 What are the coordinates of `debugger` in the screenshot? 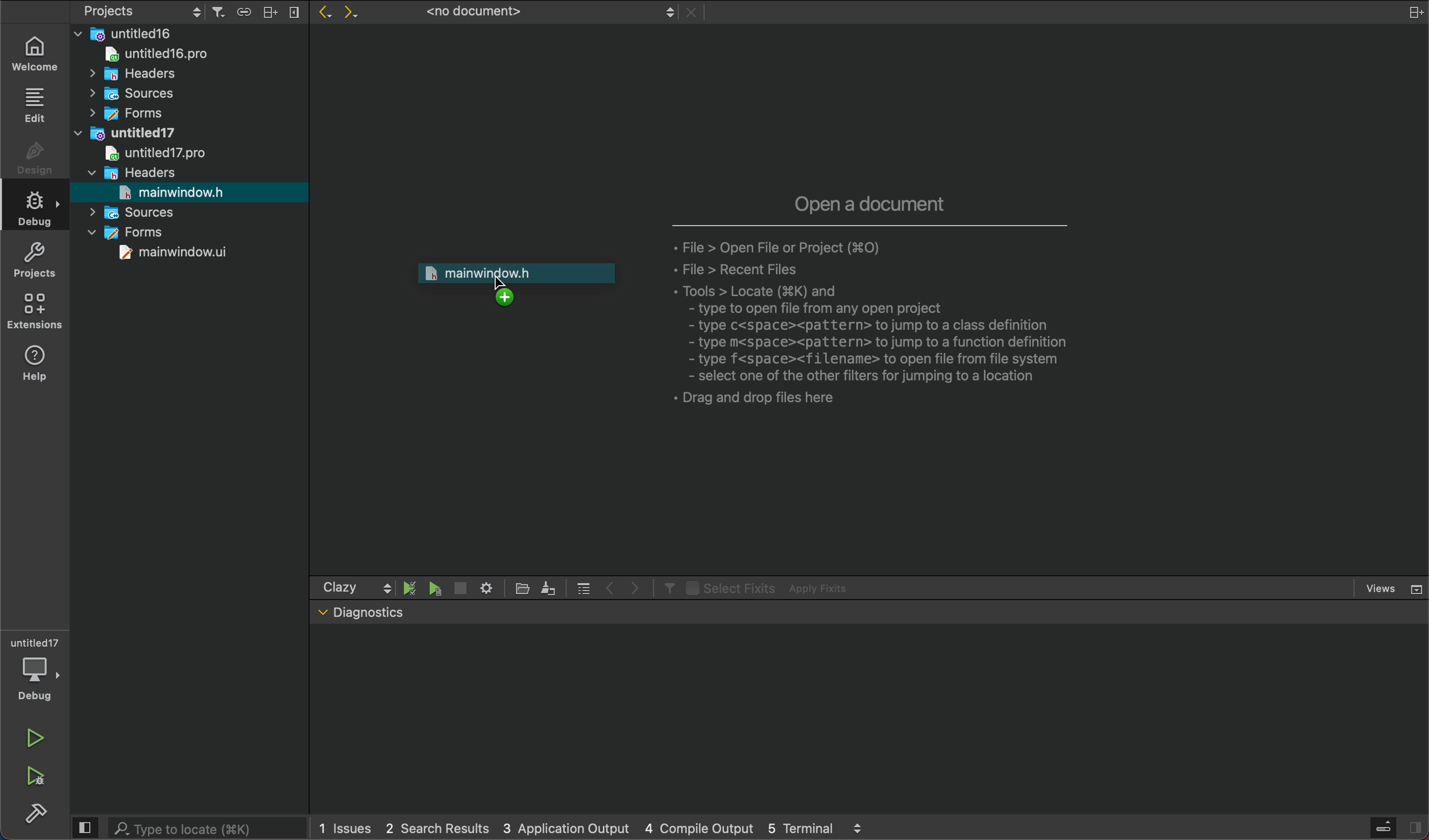 It's located at (33, 670).